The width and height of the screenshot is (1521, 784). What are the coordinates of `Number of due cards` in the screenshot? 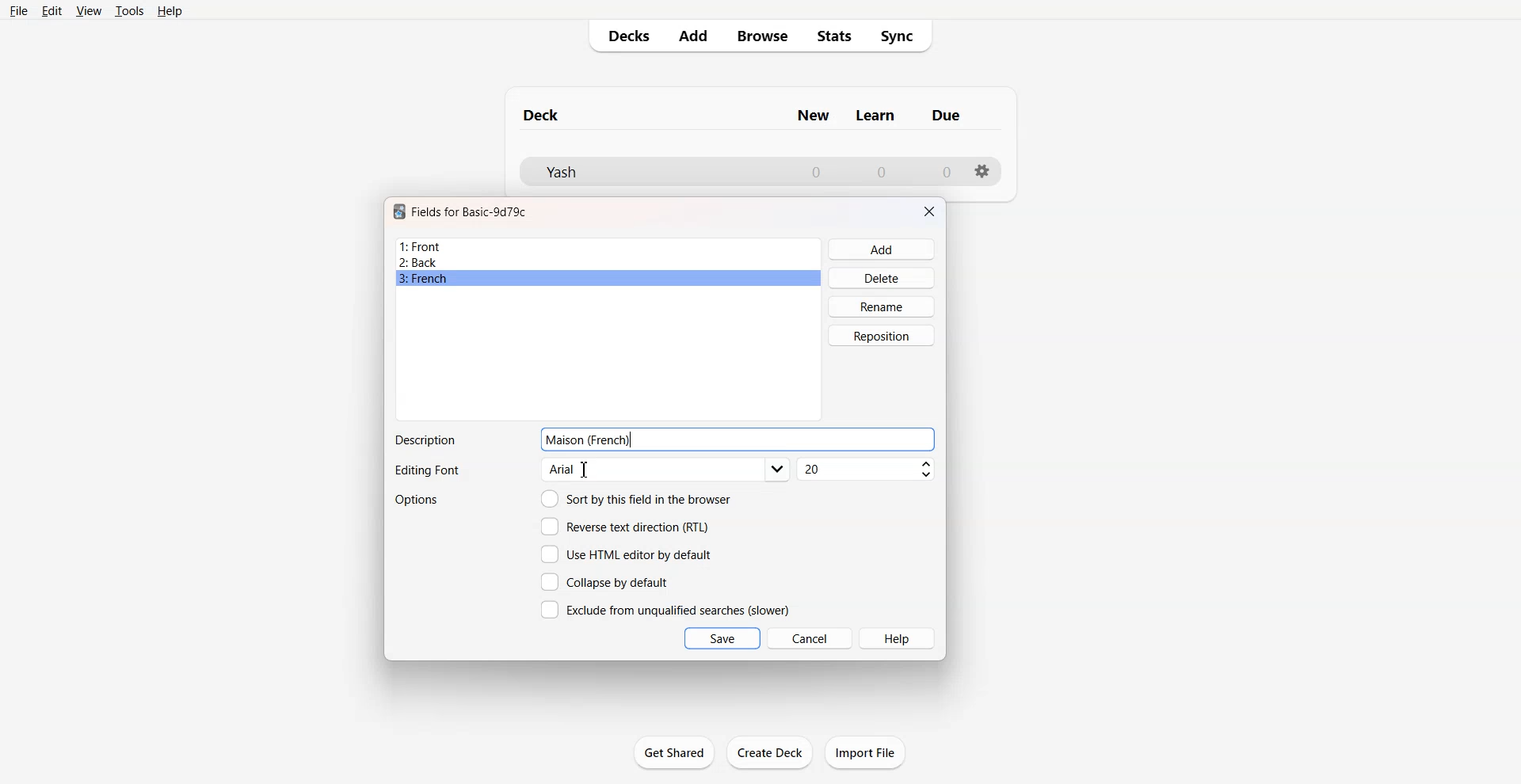 It's located at (947, 172).